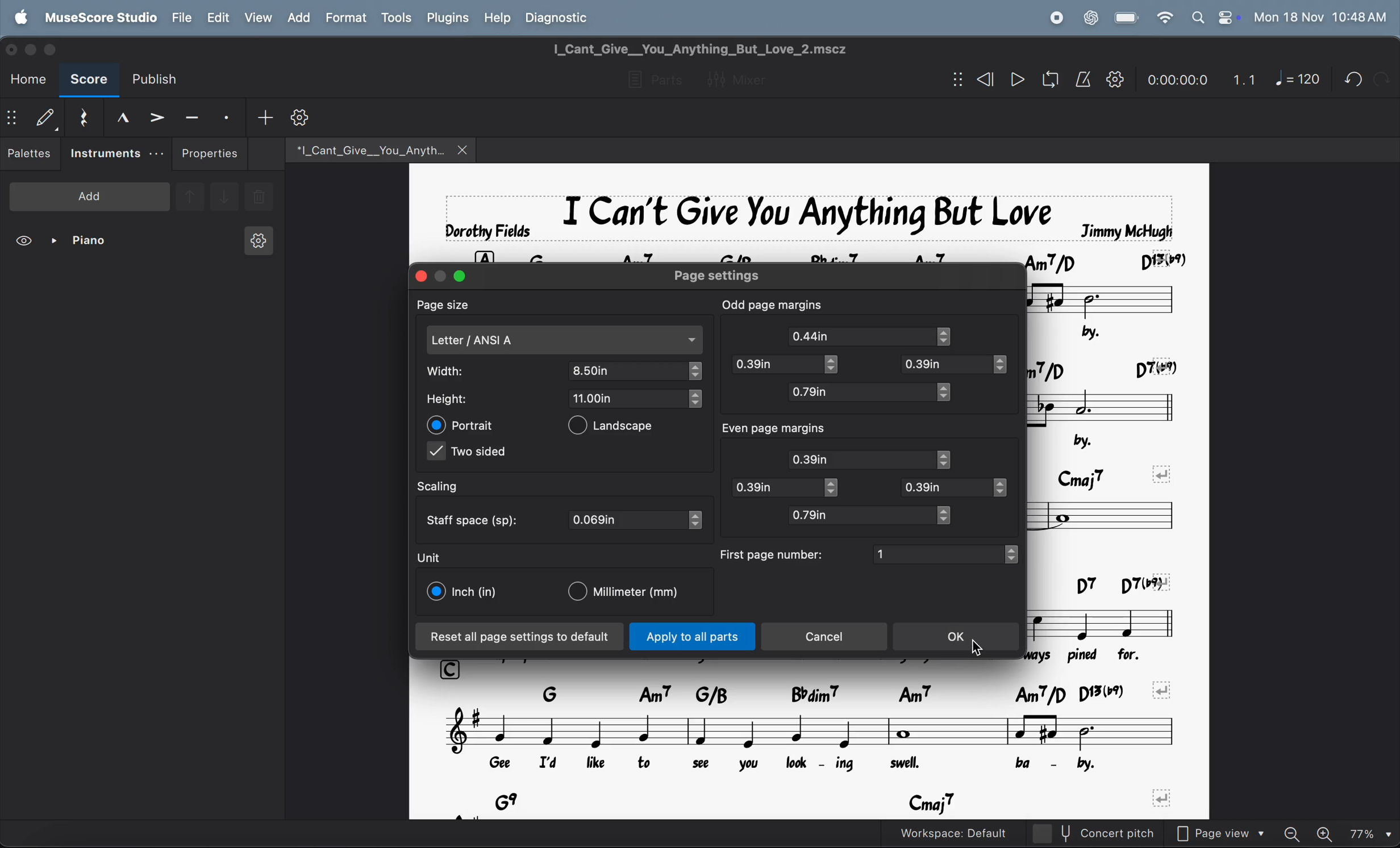  Describe the element at coordinates (89, 81) in the screenshot. I see `score ` at that location.